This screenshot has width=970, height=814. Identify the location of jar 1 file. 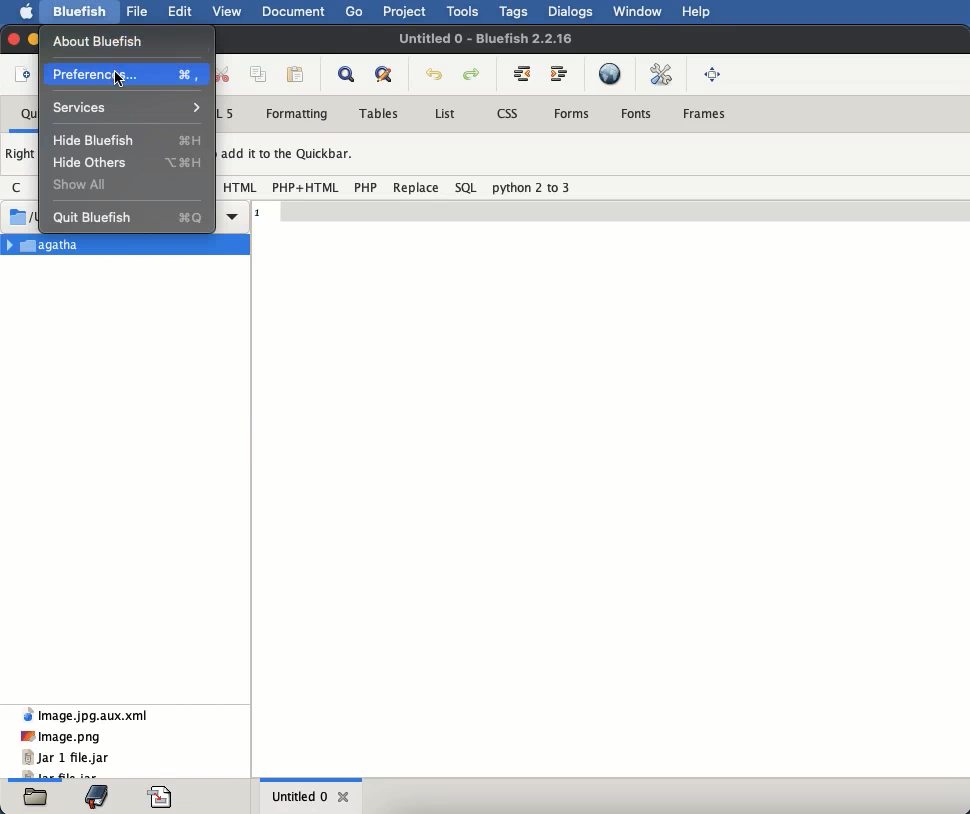
(65, 758).